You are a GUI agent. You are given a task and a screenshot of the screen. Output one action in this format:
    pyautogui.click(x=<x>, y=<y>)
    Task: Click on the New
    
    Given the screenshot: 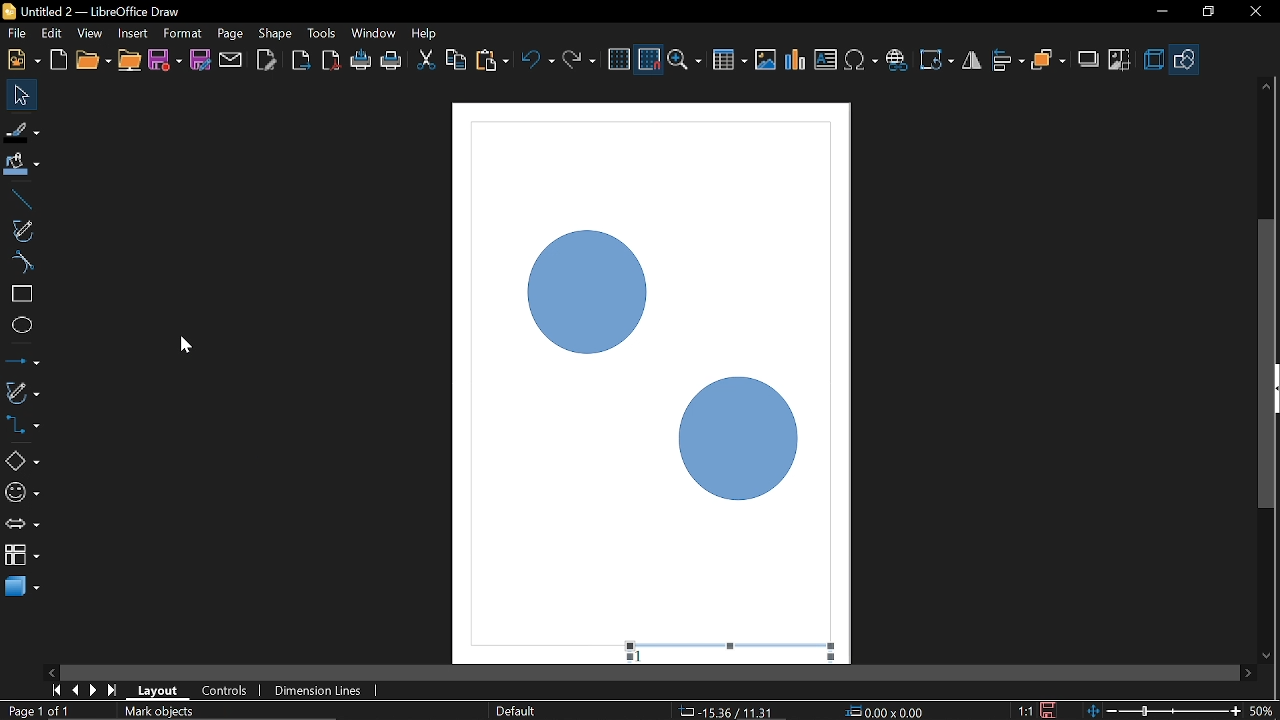 What is the action you would take?
    pyautogui.click(x=22, y=60)
    